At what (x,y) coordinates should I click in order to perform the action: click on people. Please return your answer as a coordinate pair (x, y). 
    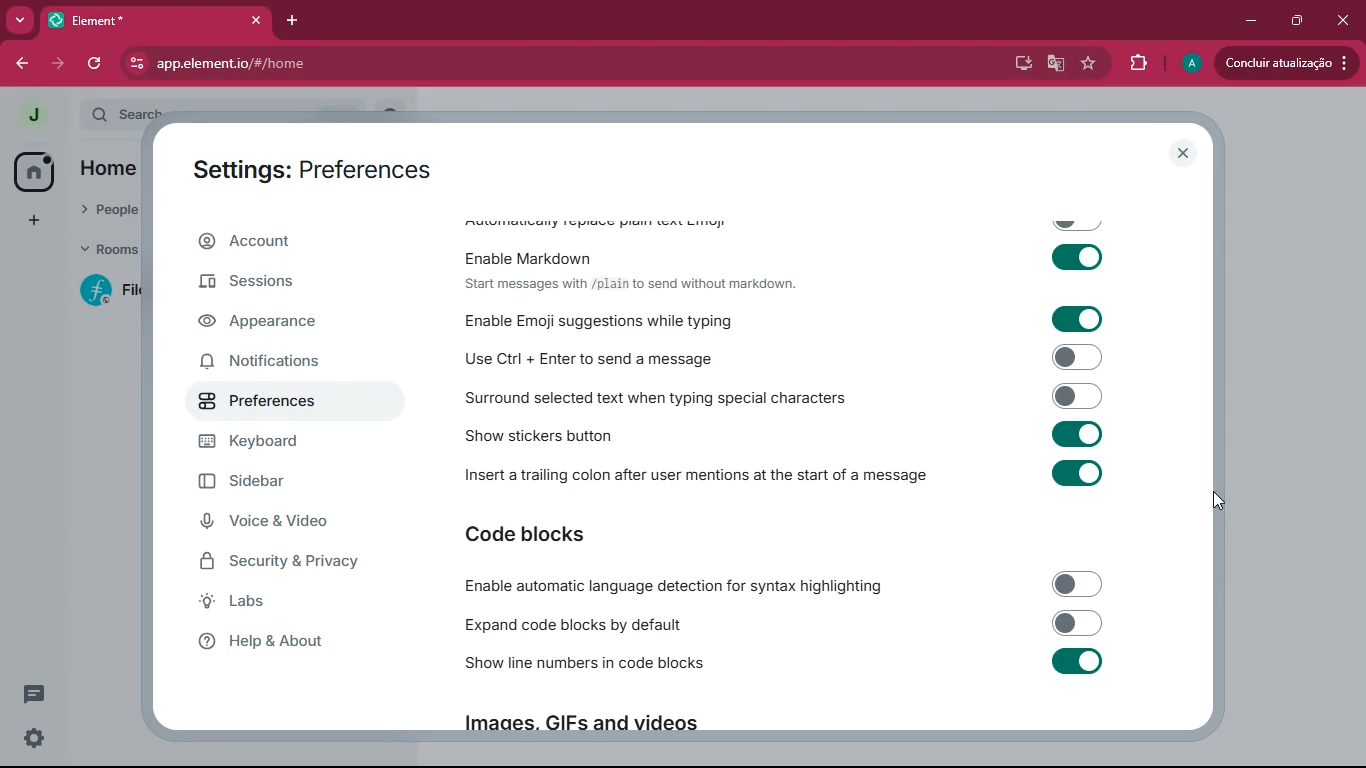
    Looking at the image, I should click on (110, 207).